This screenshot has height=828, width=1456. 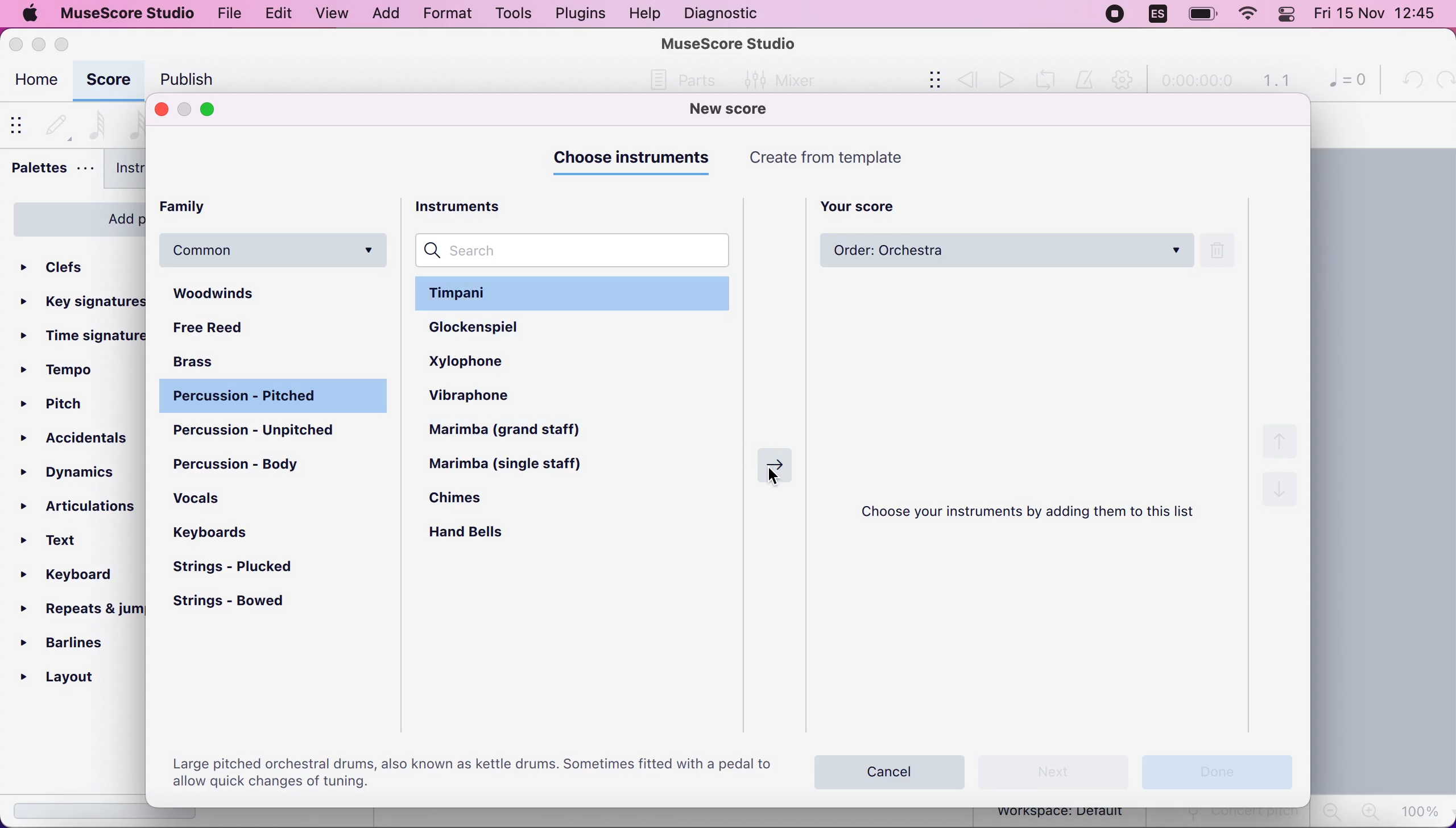 I want to click on , so click(x=689, y=80).